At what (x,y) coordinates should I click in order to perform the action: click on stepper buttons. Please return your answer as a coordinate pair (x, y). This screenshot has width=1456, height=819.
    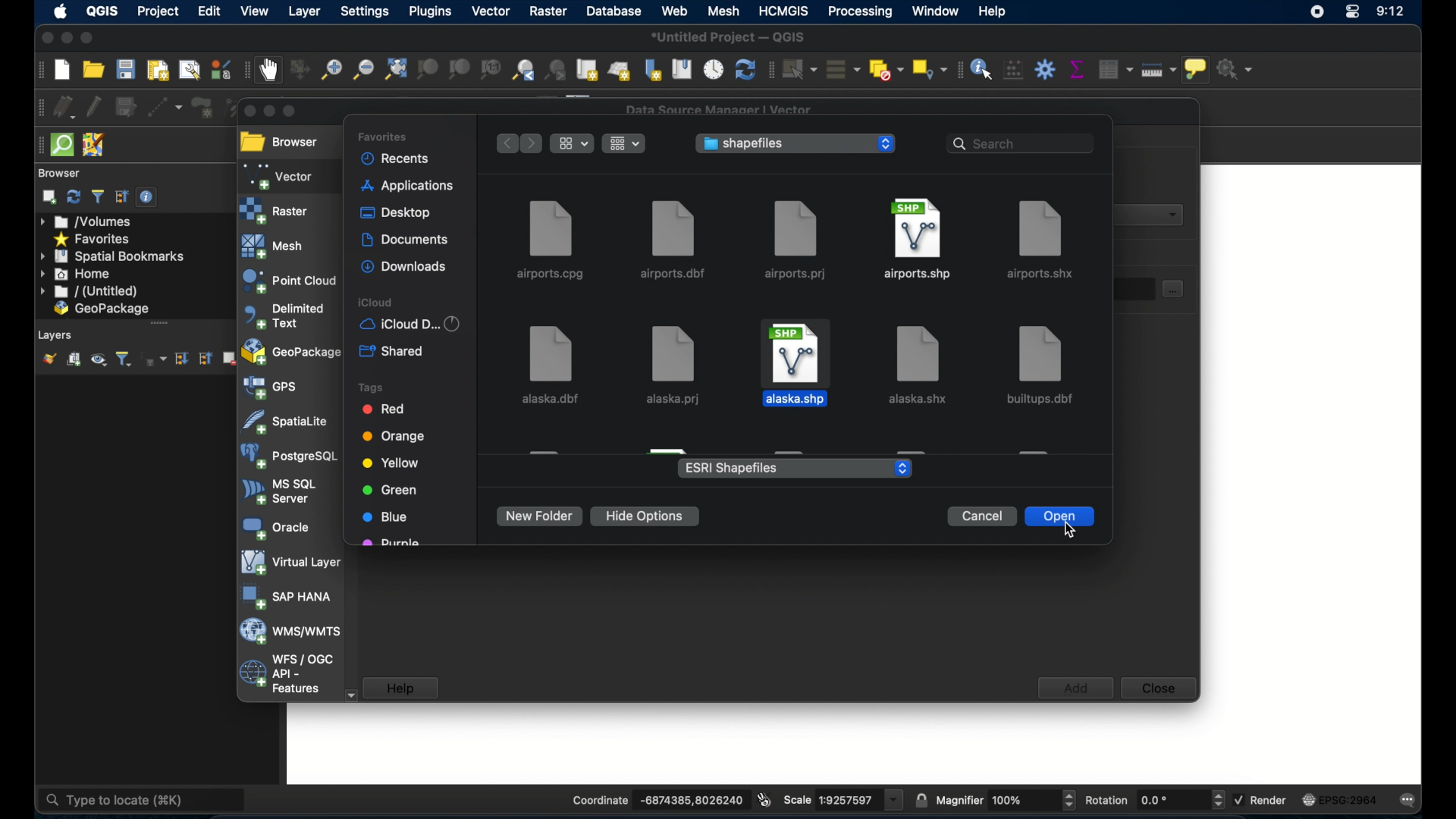
    Looking at the image, I should click on (886, 143).